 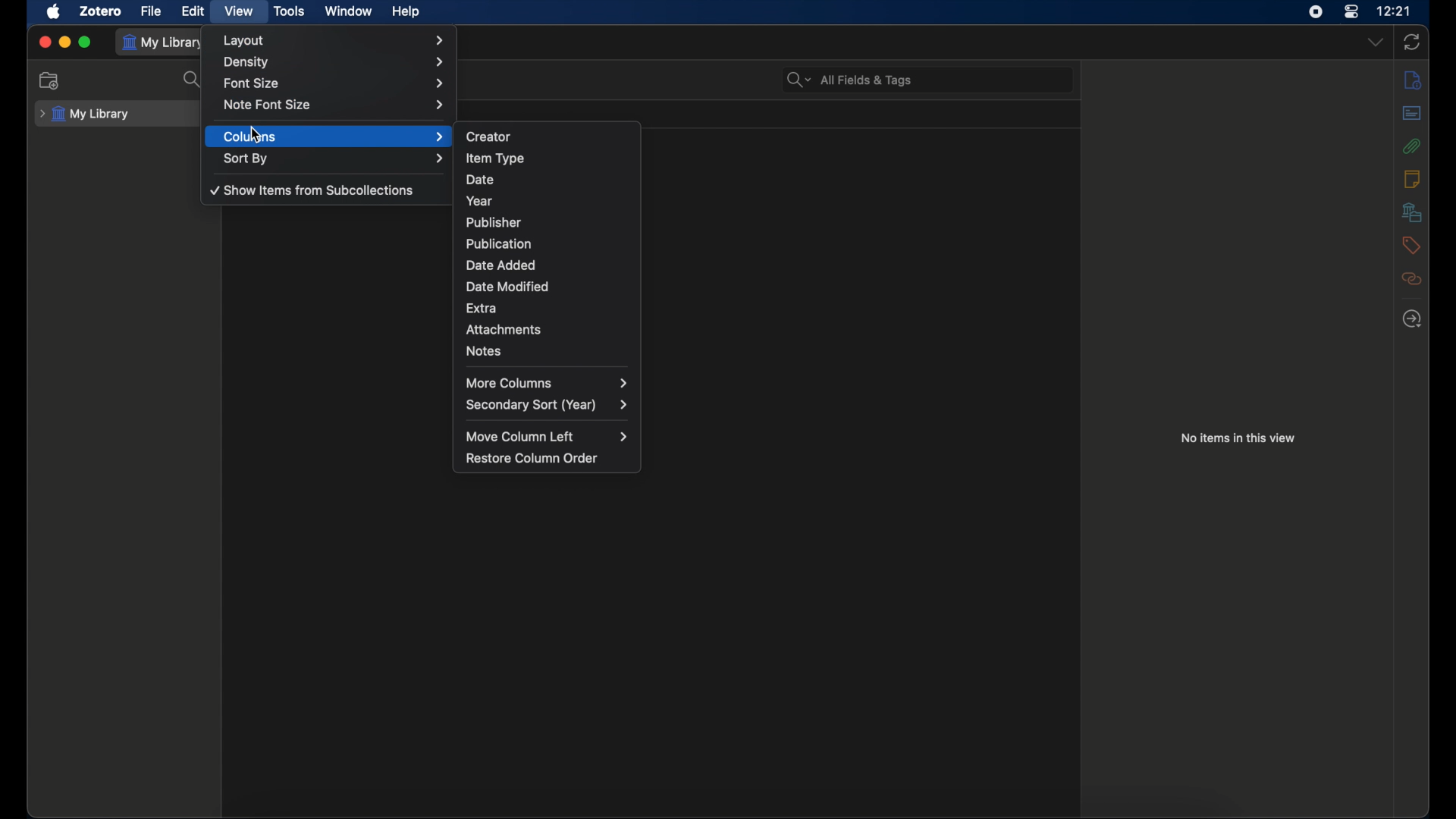 I want to click on search, so click(x=193, y=80).